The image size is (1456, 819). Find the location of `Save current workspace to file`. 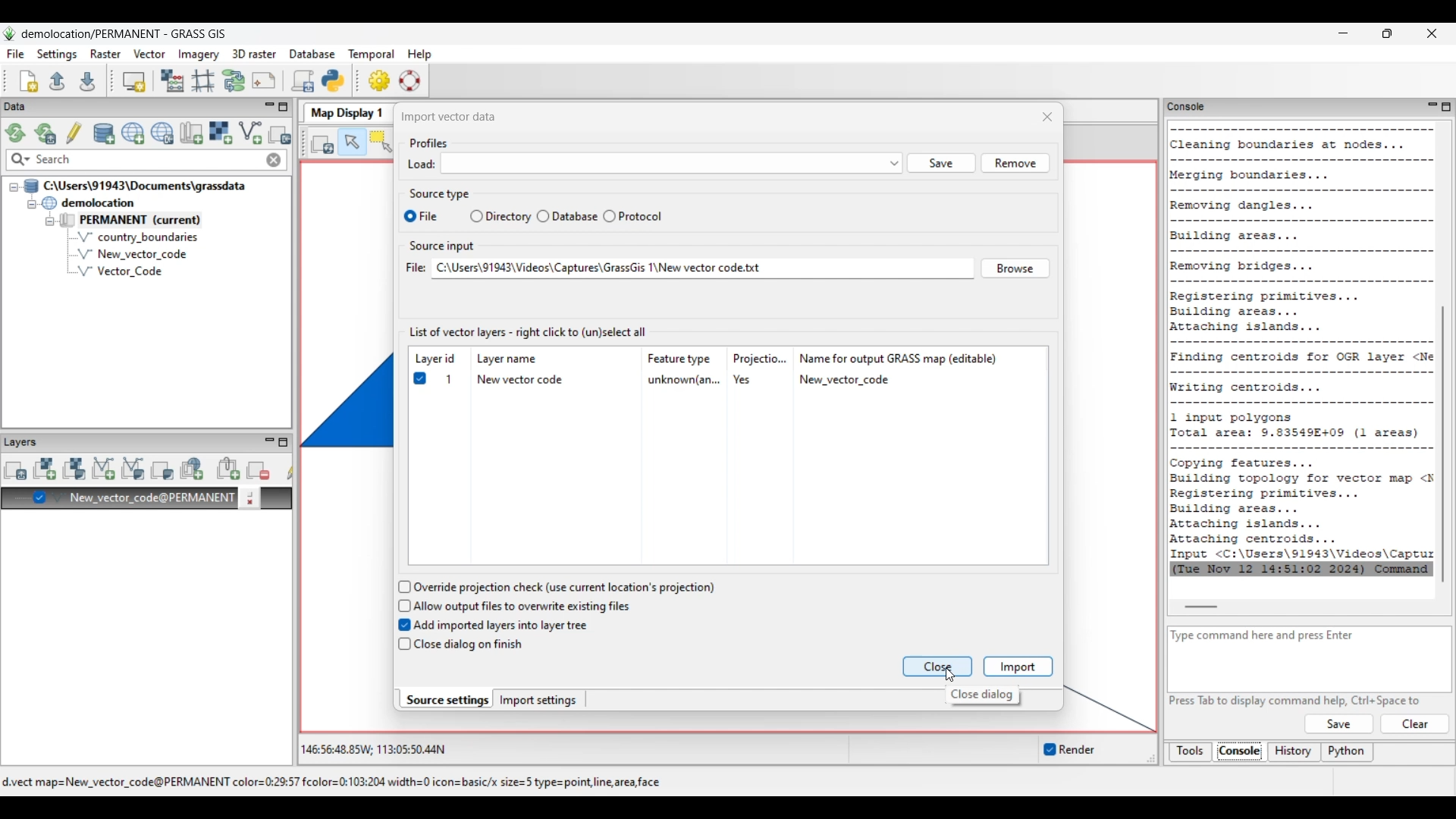

Save current workspace to file is located at coordinates (87, 80).